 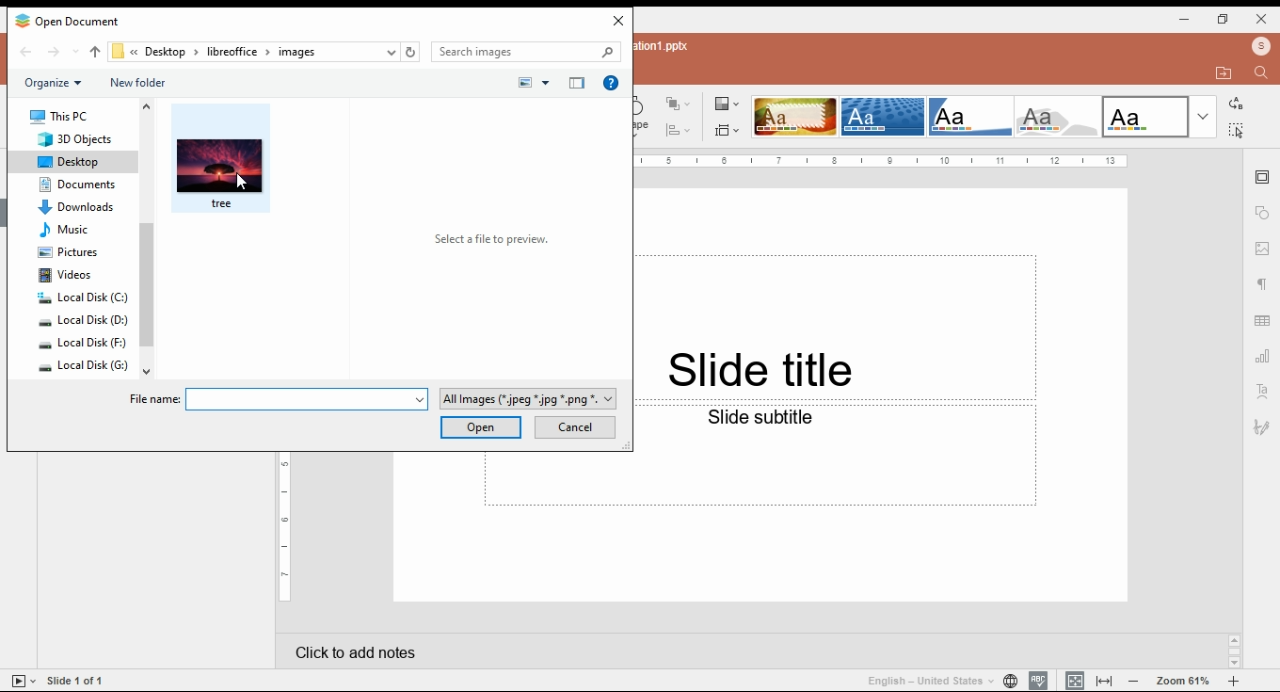 I want to click on zoom in/zoom out, so click(x=1183, y=679).